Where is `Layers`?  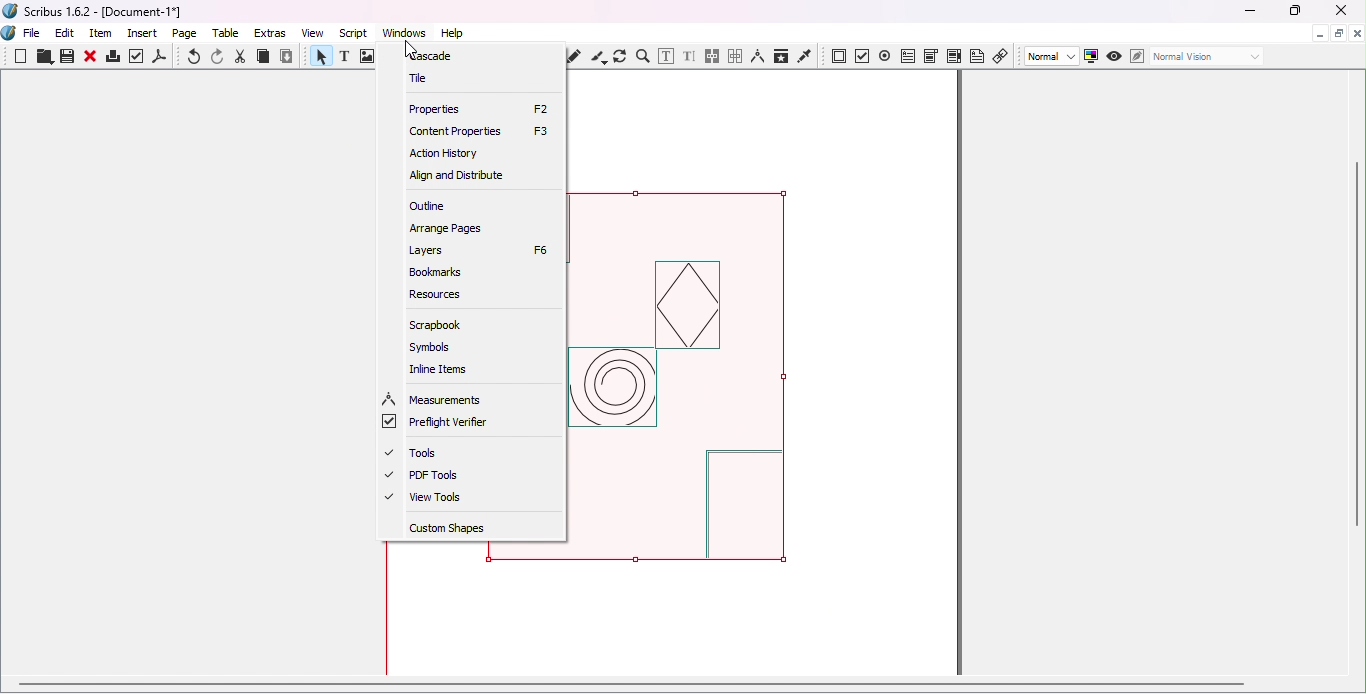
Layers is located at coordinates (476, 249).